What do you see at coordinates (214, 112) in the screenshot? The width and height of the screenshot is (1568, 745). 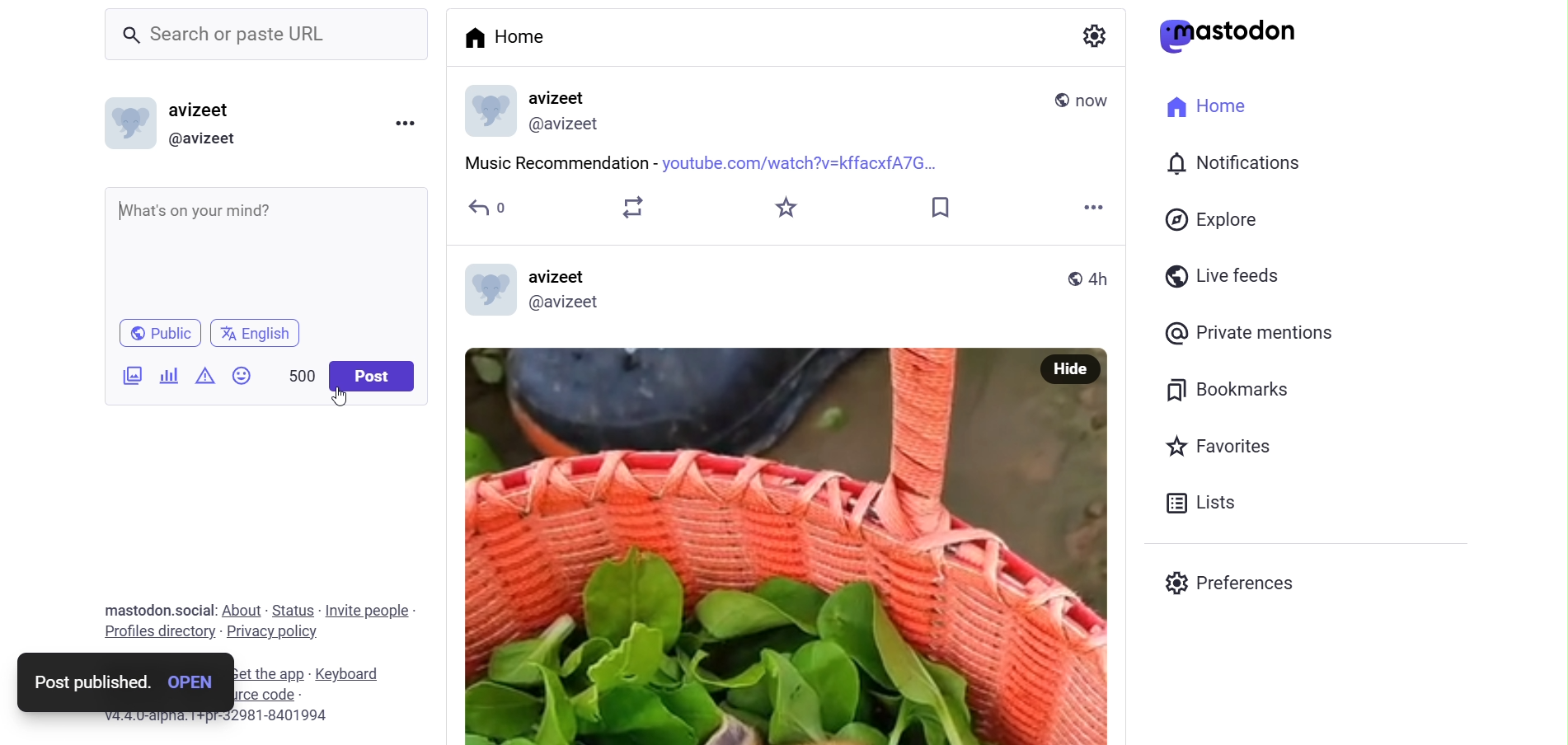 I see `avizeet` at bounding box center [214, 112].